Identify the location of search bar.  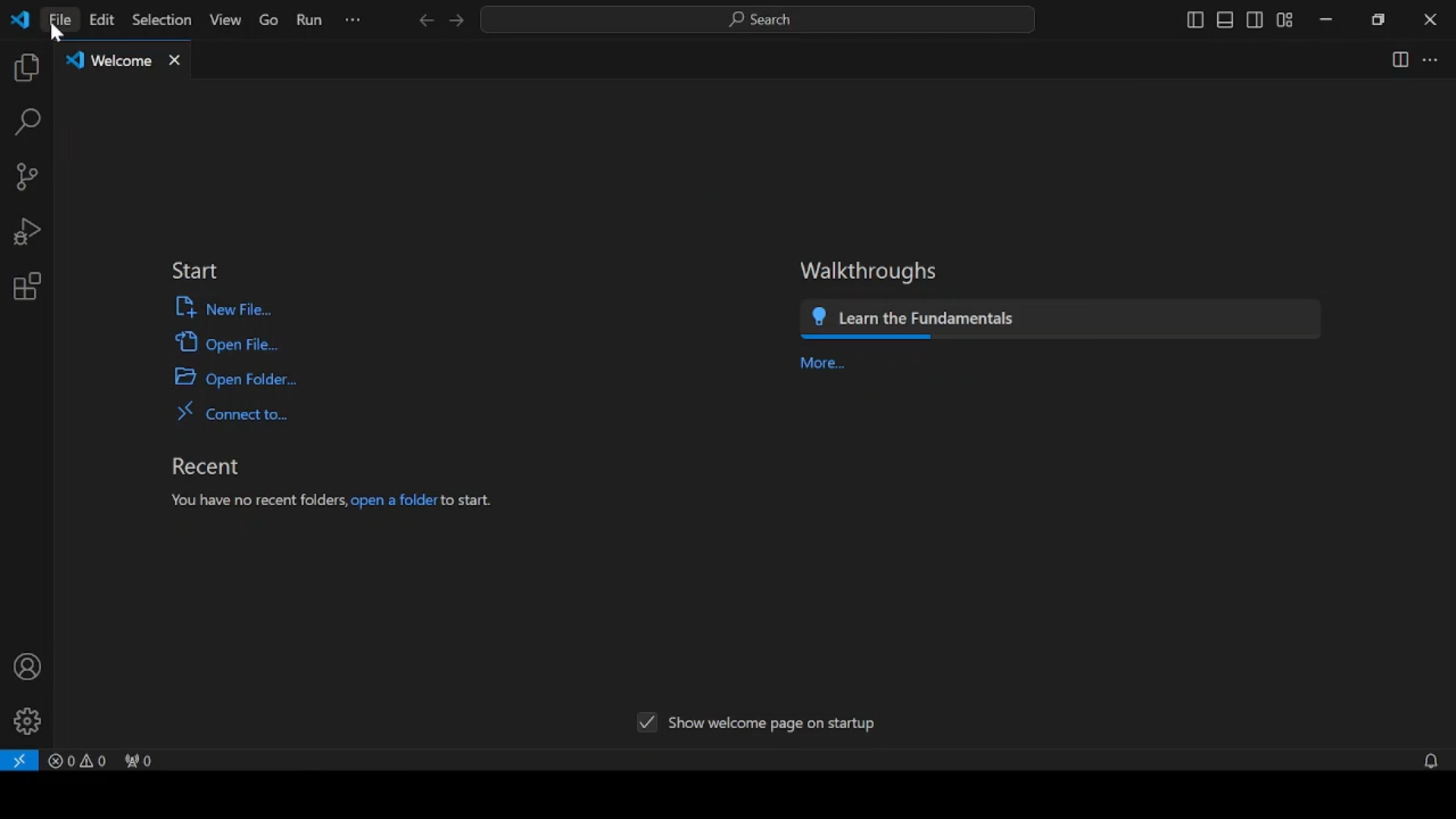
(758, 20).